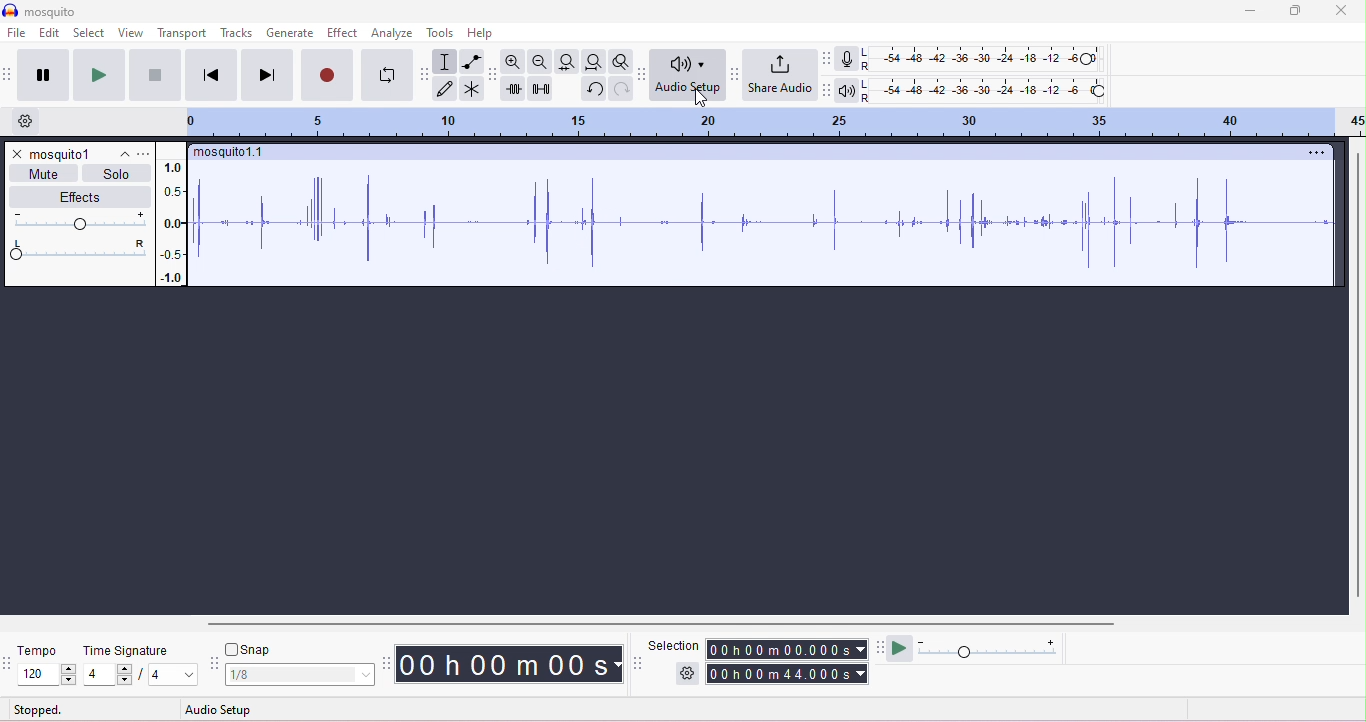 The height and width of the screenshot is (722, 1366). Describe the element at coordinates (77, 220) in the screenshot. I see `volume` at that location.